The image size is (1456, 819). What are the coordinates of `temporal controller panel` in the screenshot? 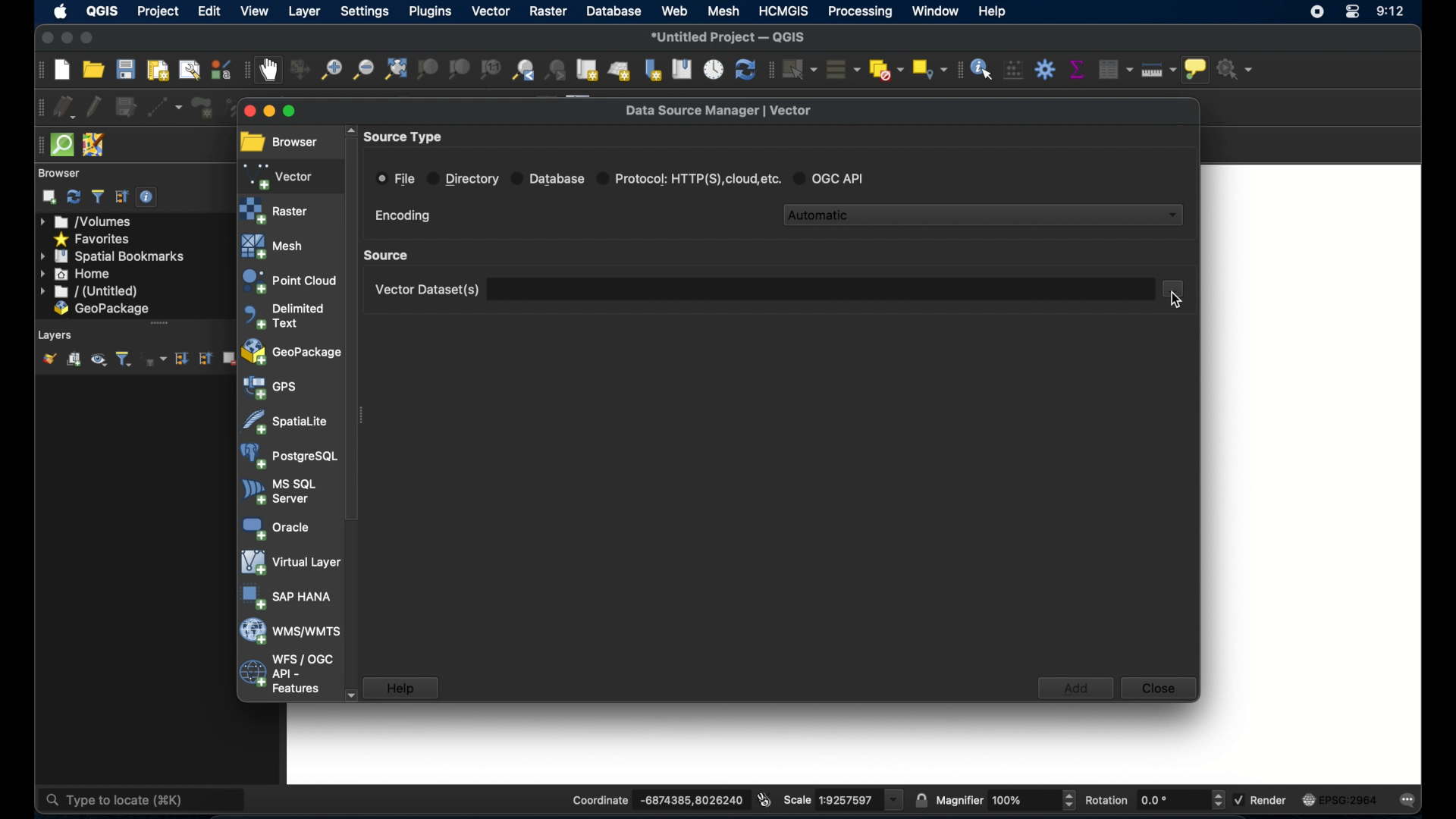 It's located at (714, 68).